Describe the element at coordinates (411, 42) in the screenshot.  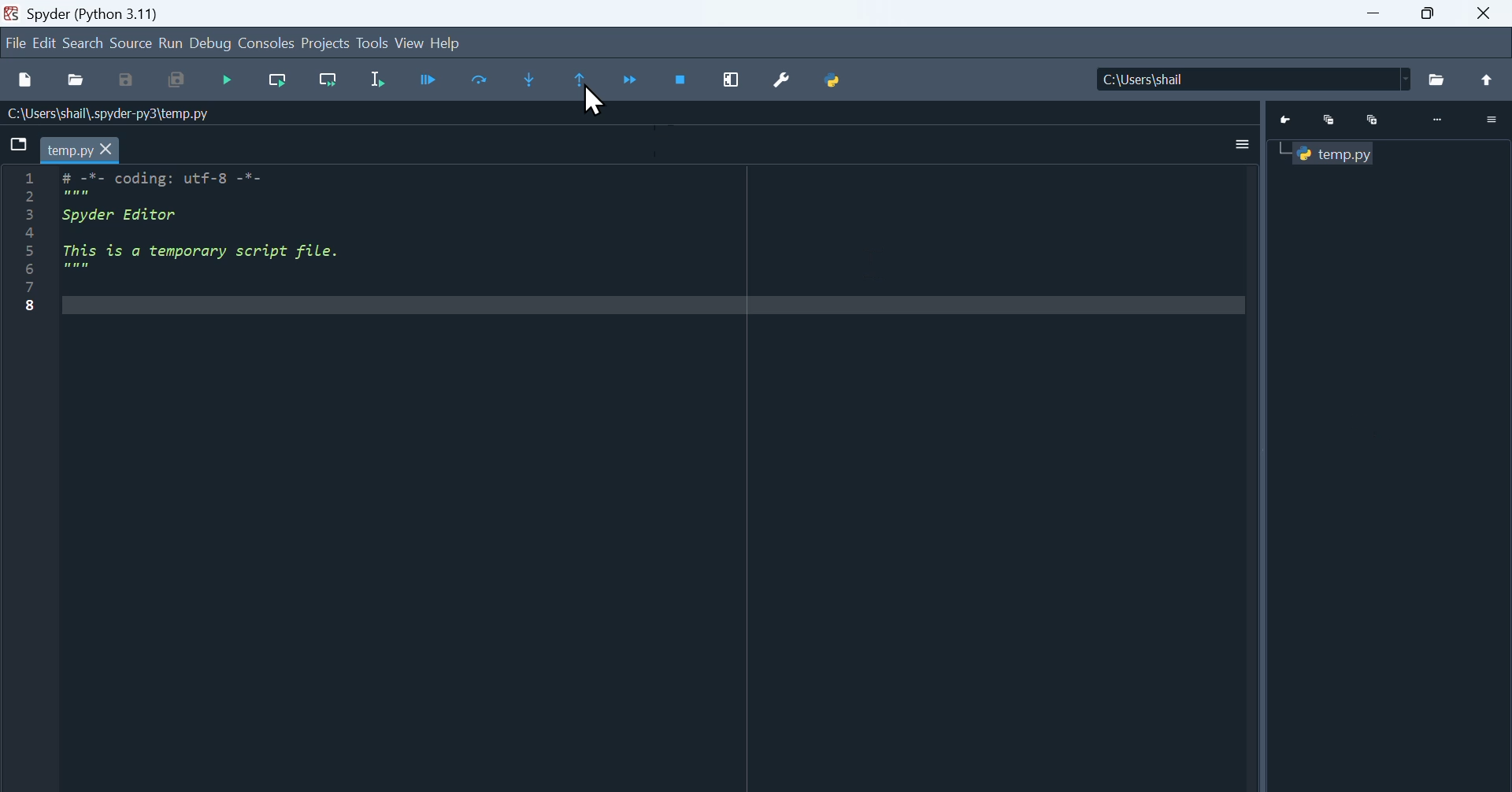
I see `View` at that location.